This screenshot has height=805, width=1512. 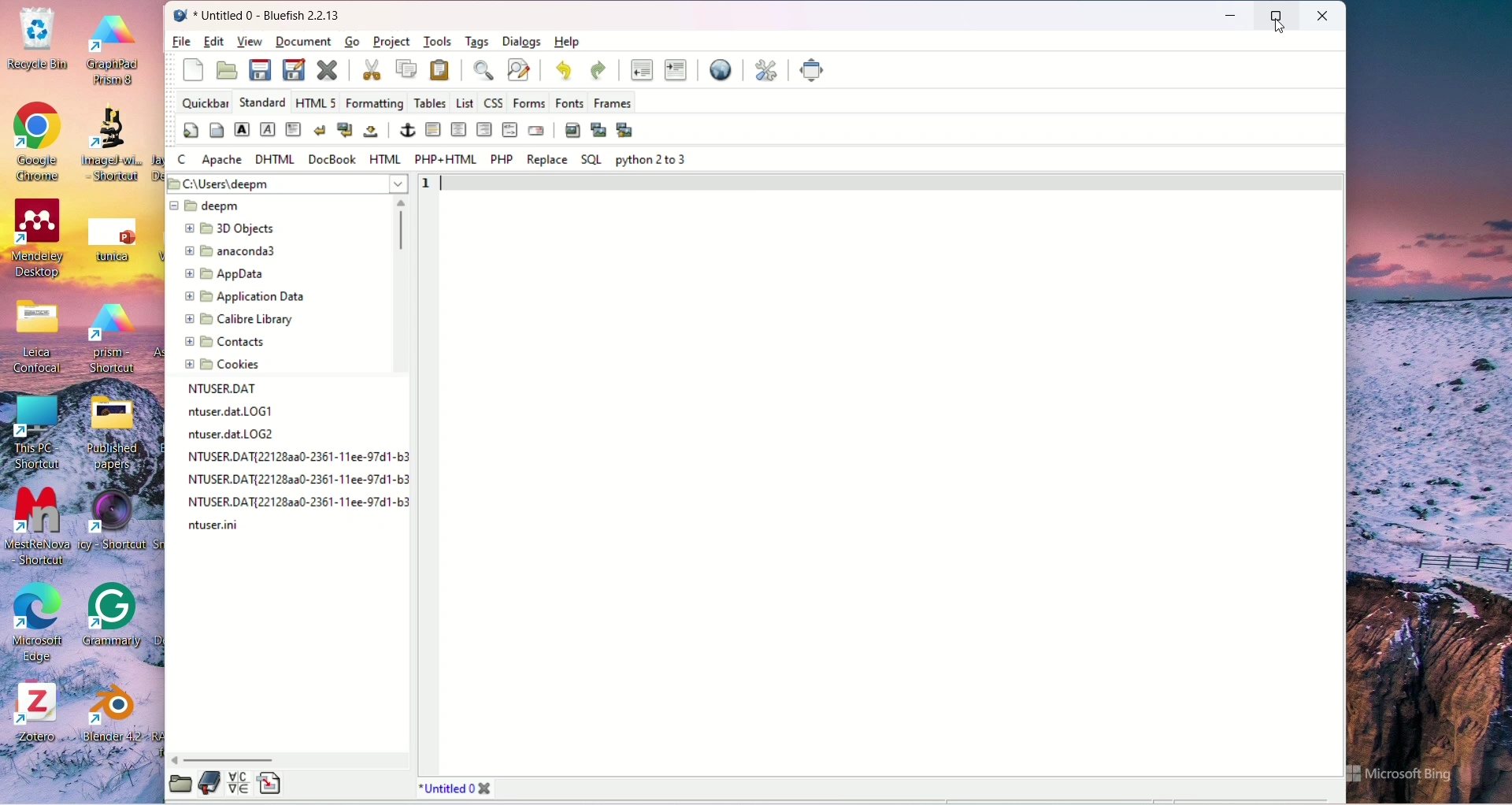 I want to click on vertical scroll bar, so click(x=398, y=287).